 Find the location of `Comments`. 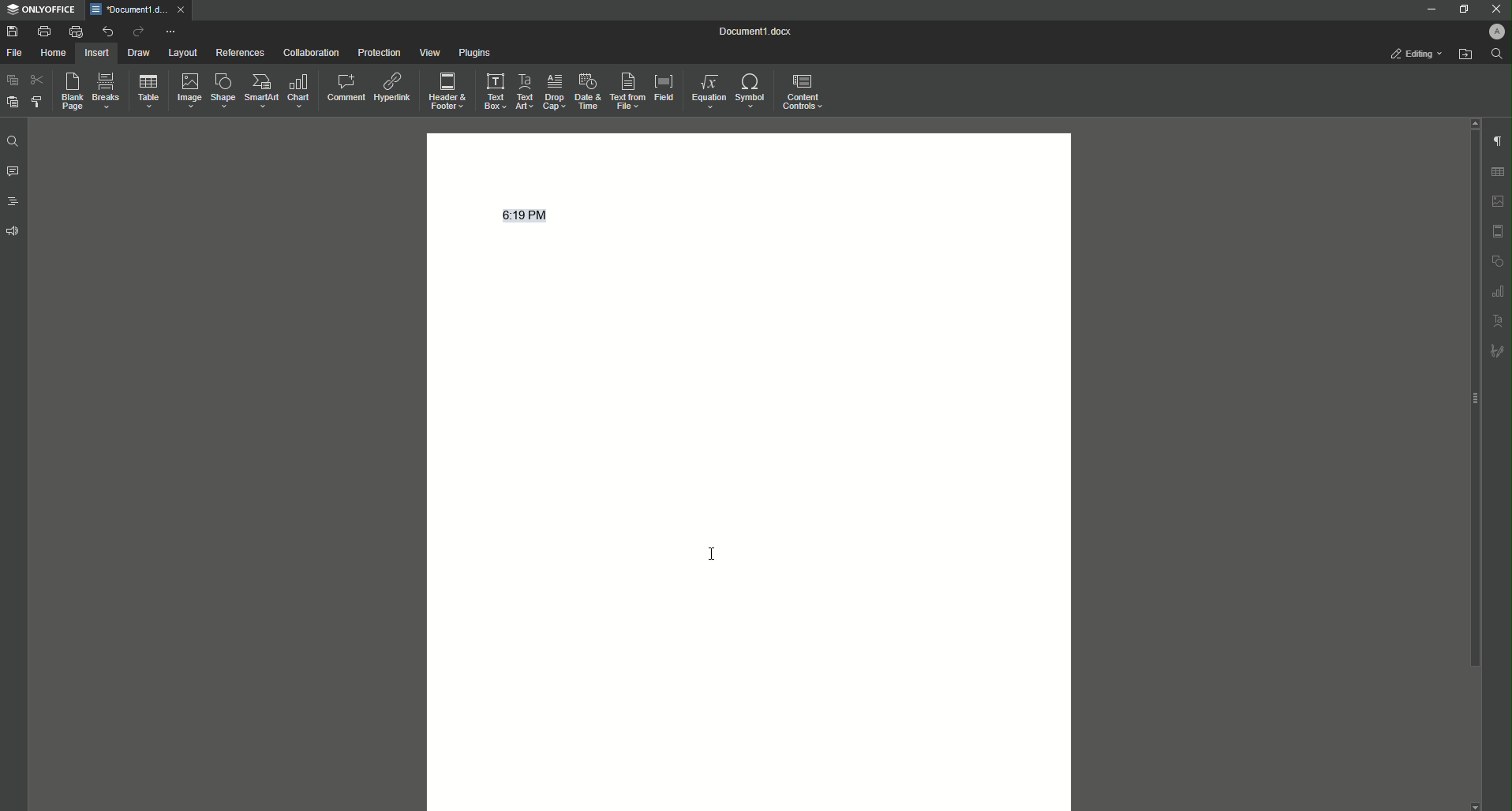

Comments is located at coordinates (13, 172).